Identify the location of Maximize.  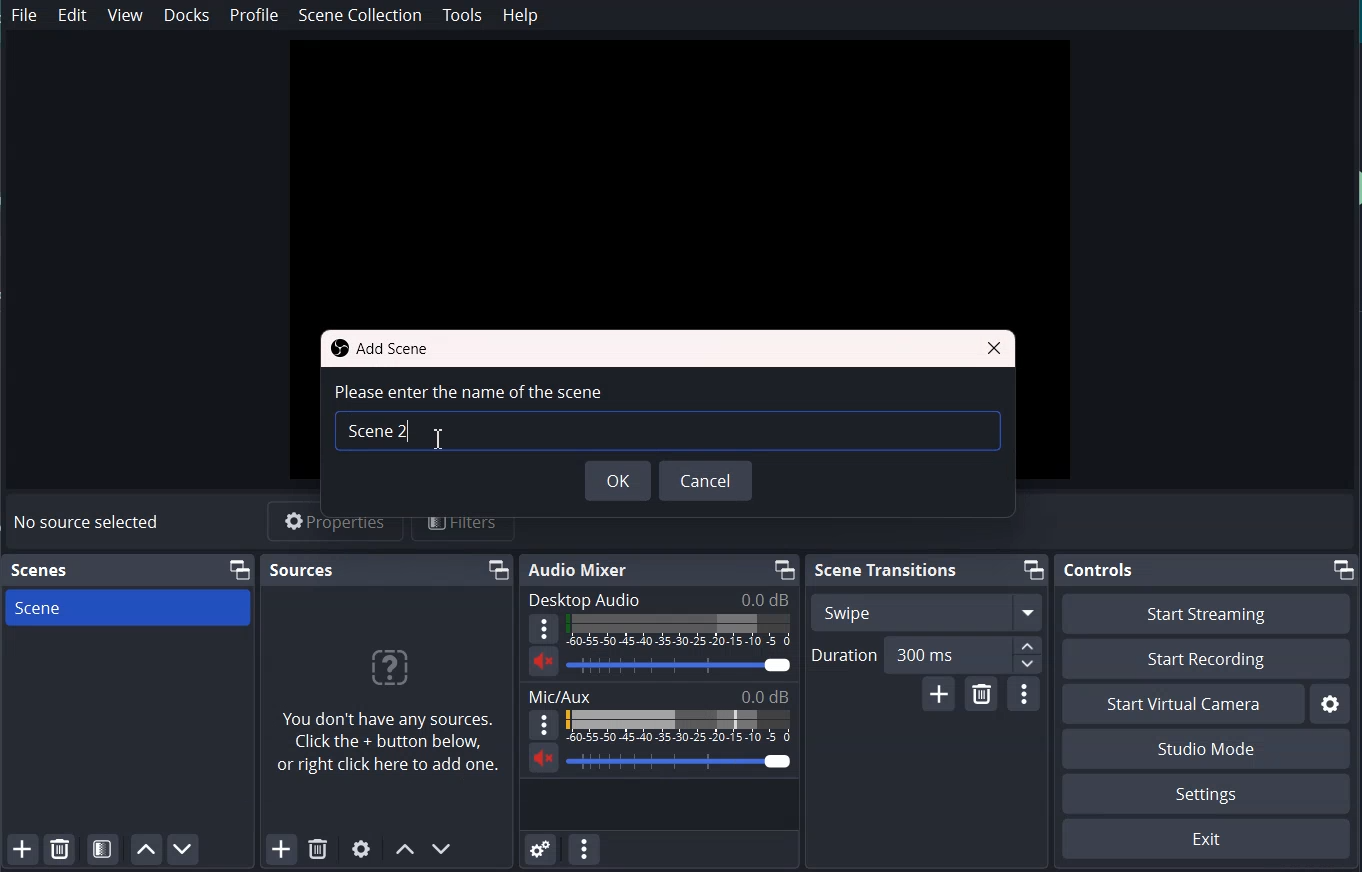
(1345, 569).